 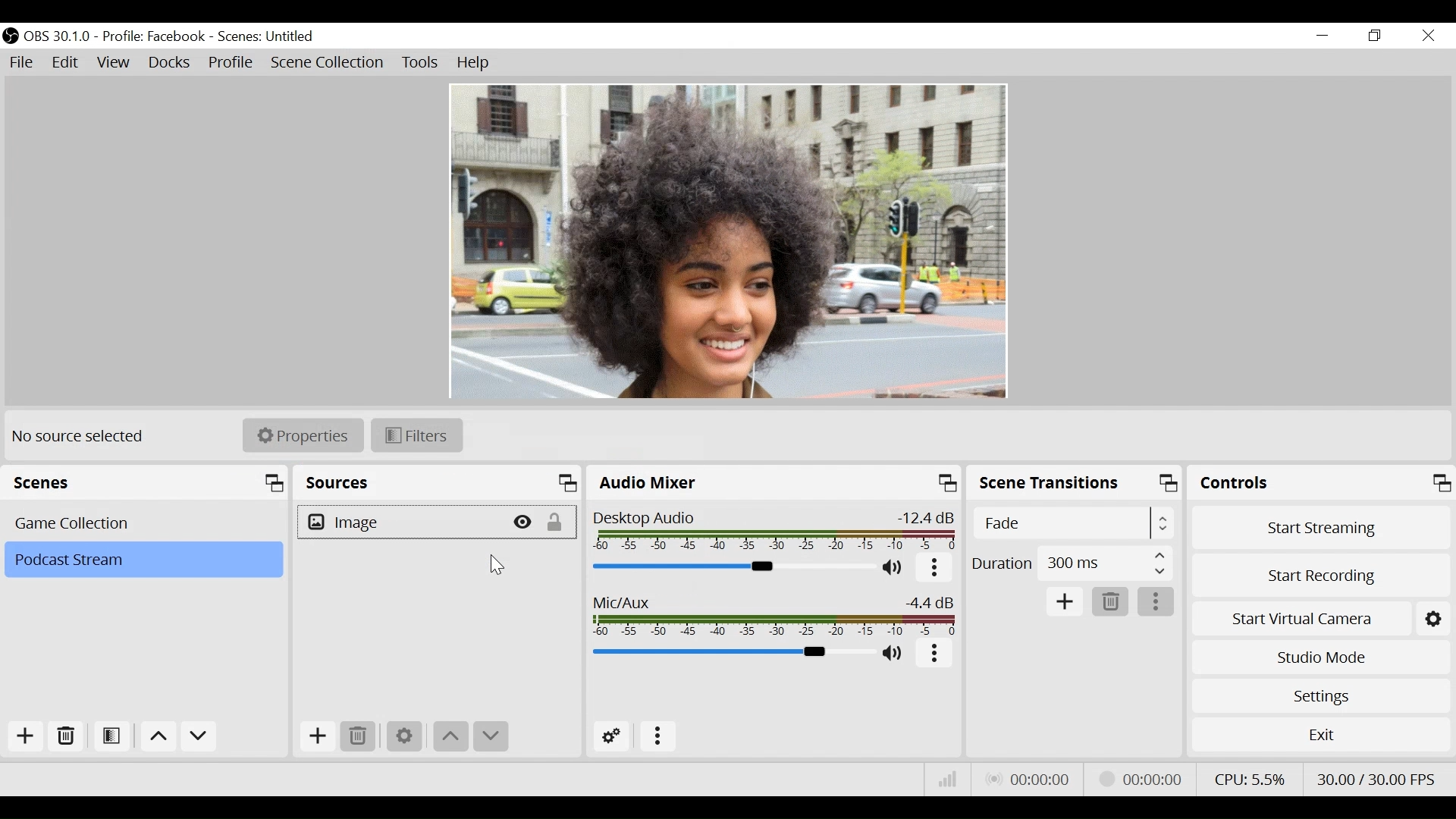 I want to click on Exit, so click(x=1319, y=733).